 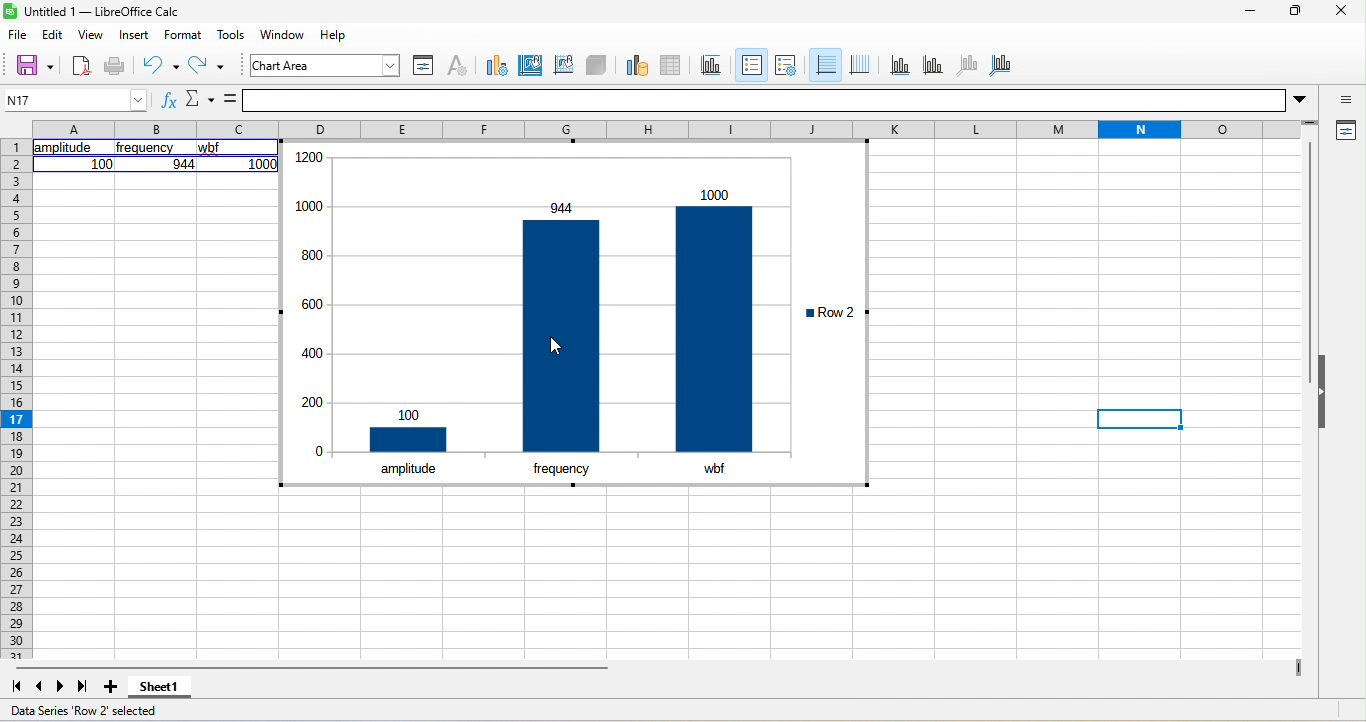 I want to click on 3d view, so click(x=599, y=67).